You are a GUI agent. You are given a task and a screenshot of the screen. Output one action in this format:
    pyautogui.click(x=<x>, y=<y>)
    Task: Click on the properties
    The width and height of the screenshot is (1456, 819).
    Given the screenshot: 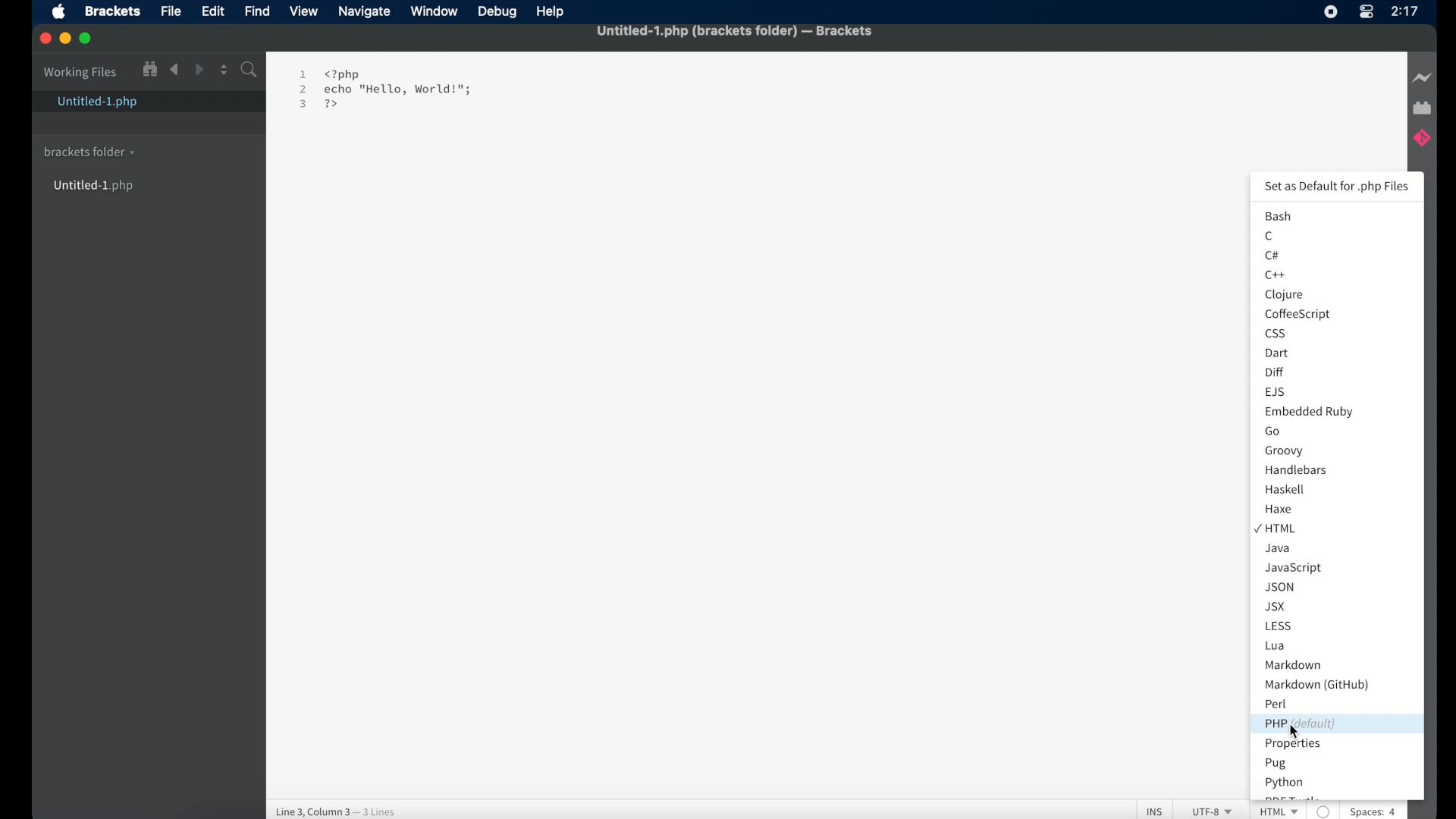 What is the action you would take?
    pyautogui.click(x=1293, y=745)
    